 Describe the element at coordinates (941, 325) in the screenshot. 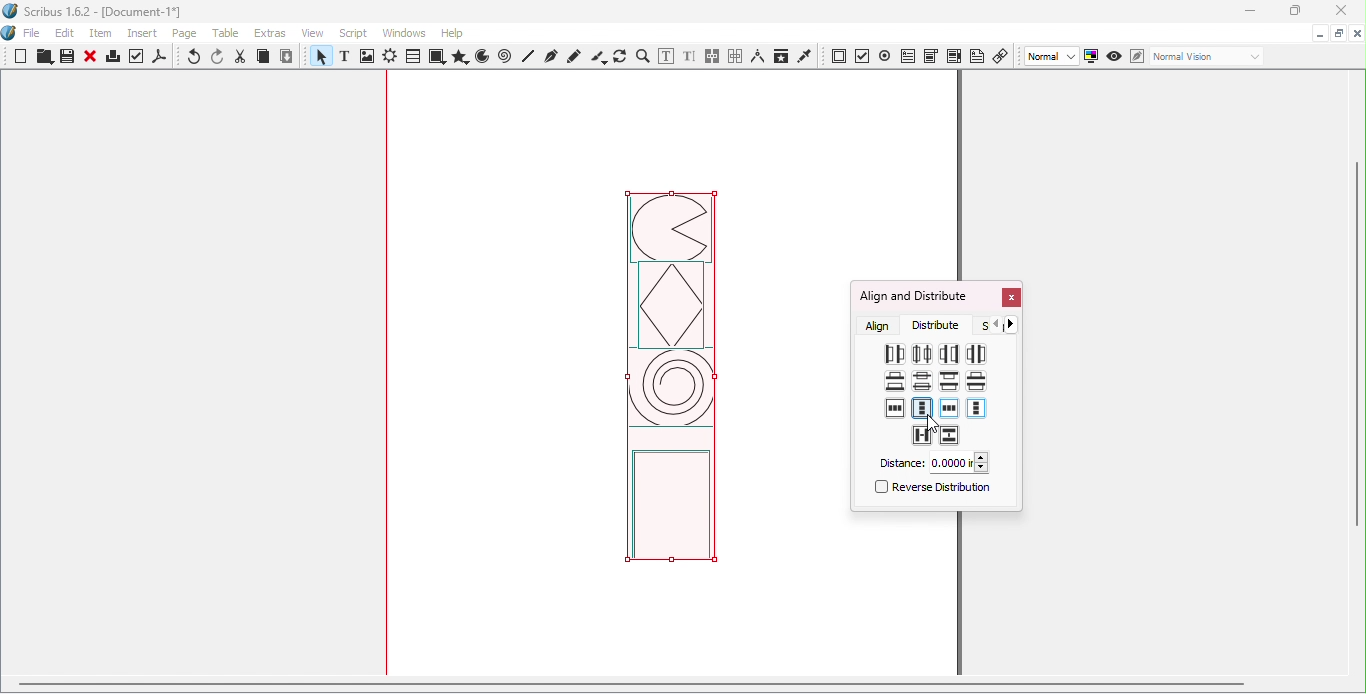

I see `Distribute` at that location.